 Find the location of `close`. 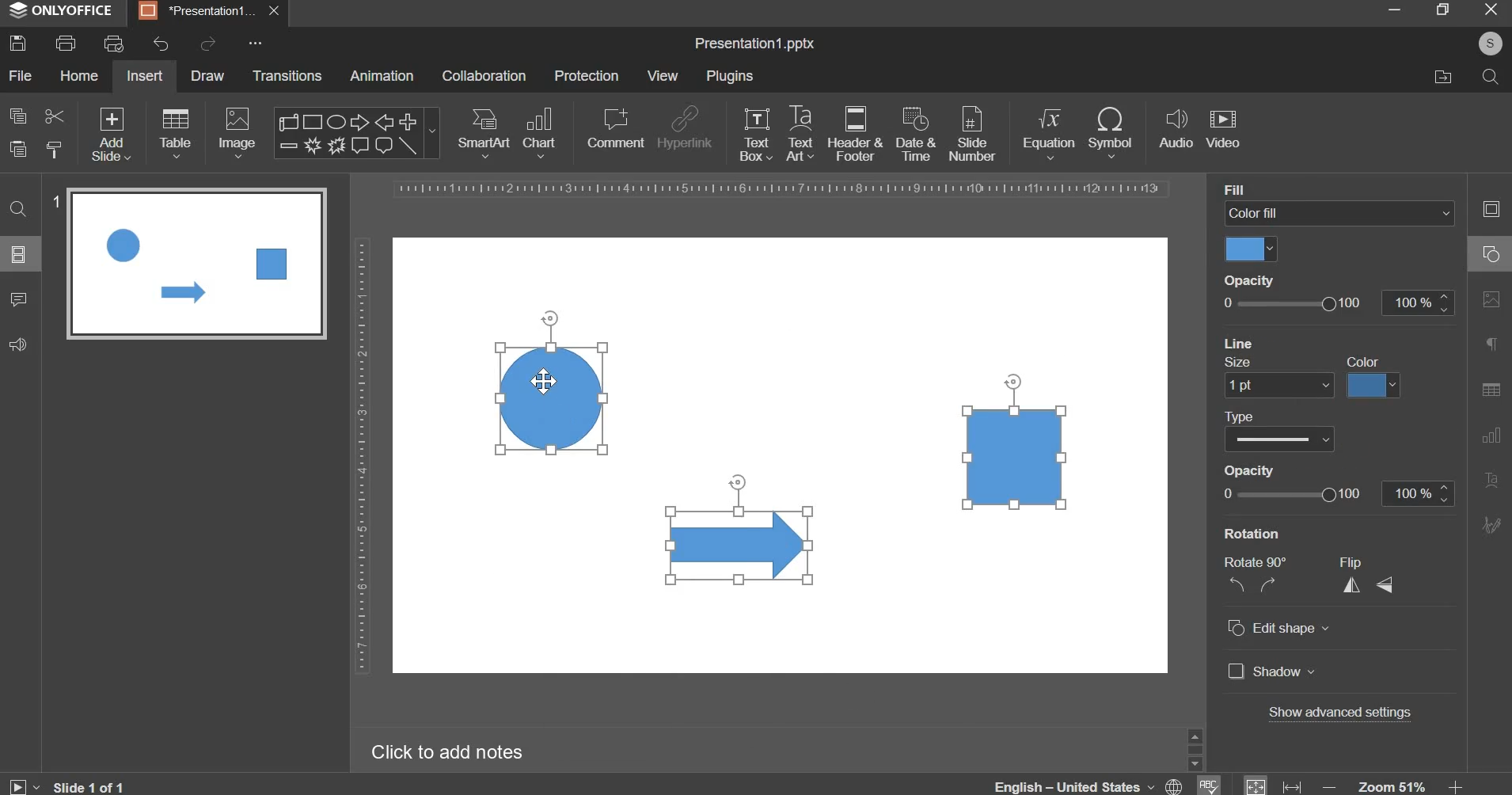

close is located at coordinates (278, 11).